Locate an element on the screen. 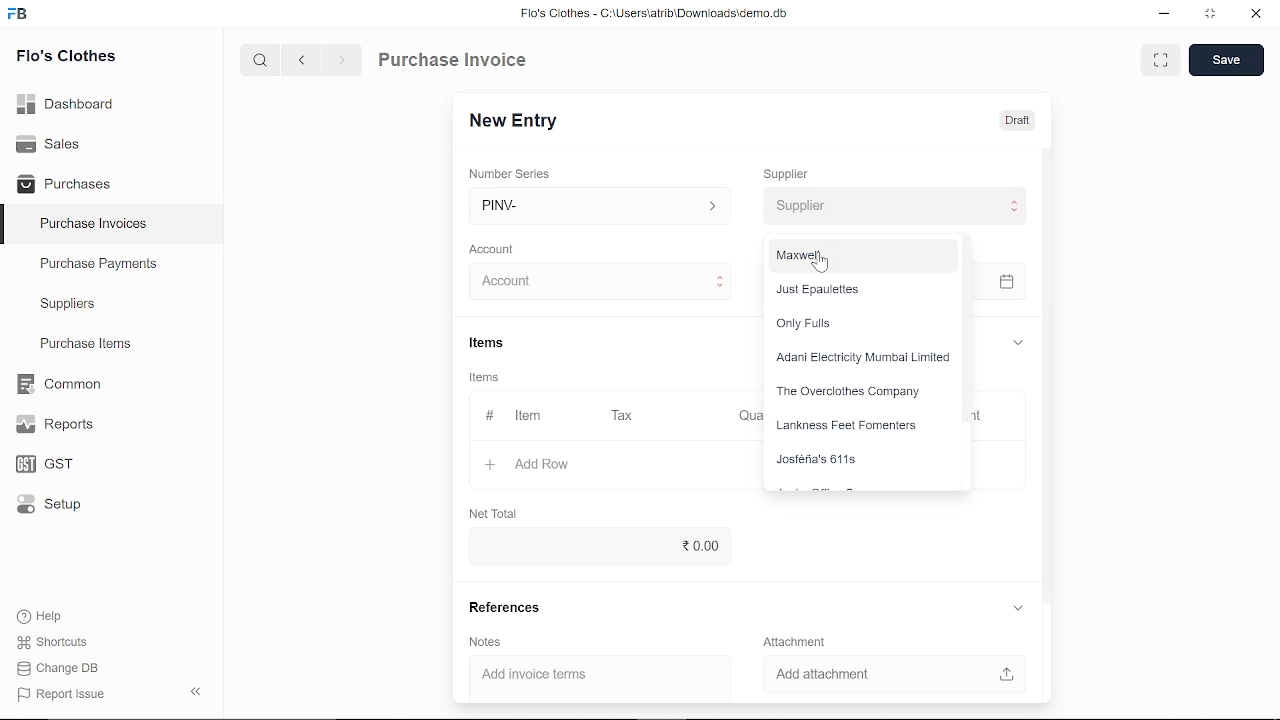 The image size is (1280, 720). Dashboard is located at coordinates (66, 102).